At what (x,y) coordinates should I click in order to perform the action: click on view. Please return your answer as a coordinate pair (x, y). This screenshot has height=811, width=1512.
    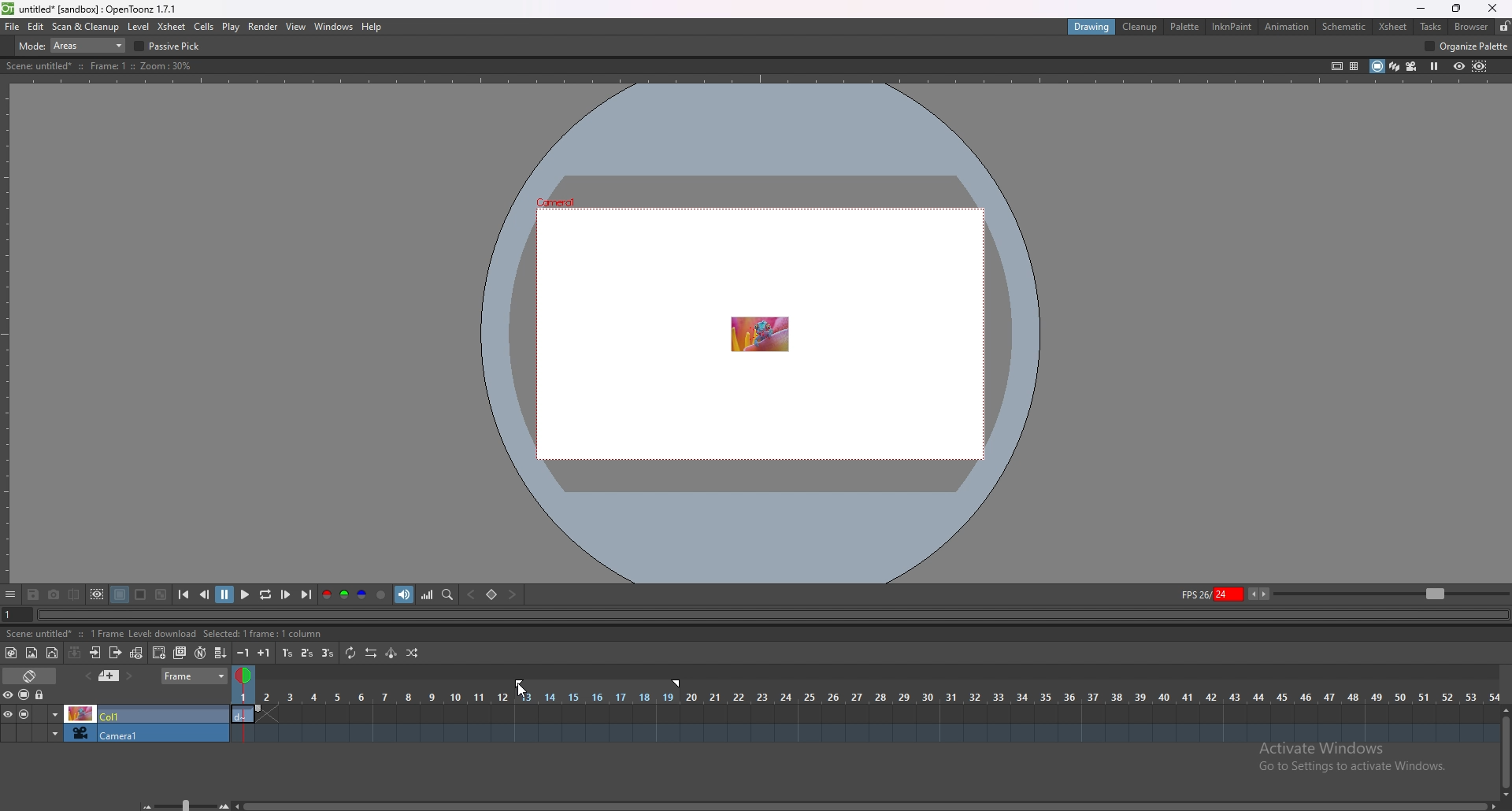
    Looking at the image, I should click on (297, 27).